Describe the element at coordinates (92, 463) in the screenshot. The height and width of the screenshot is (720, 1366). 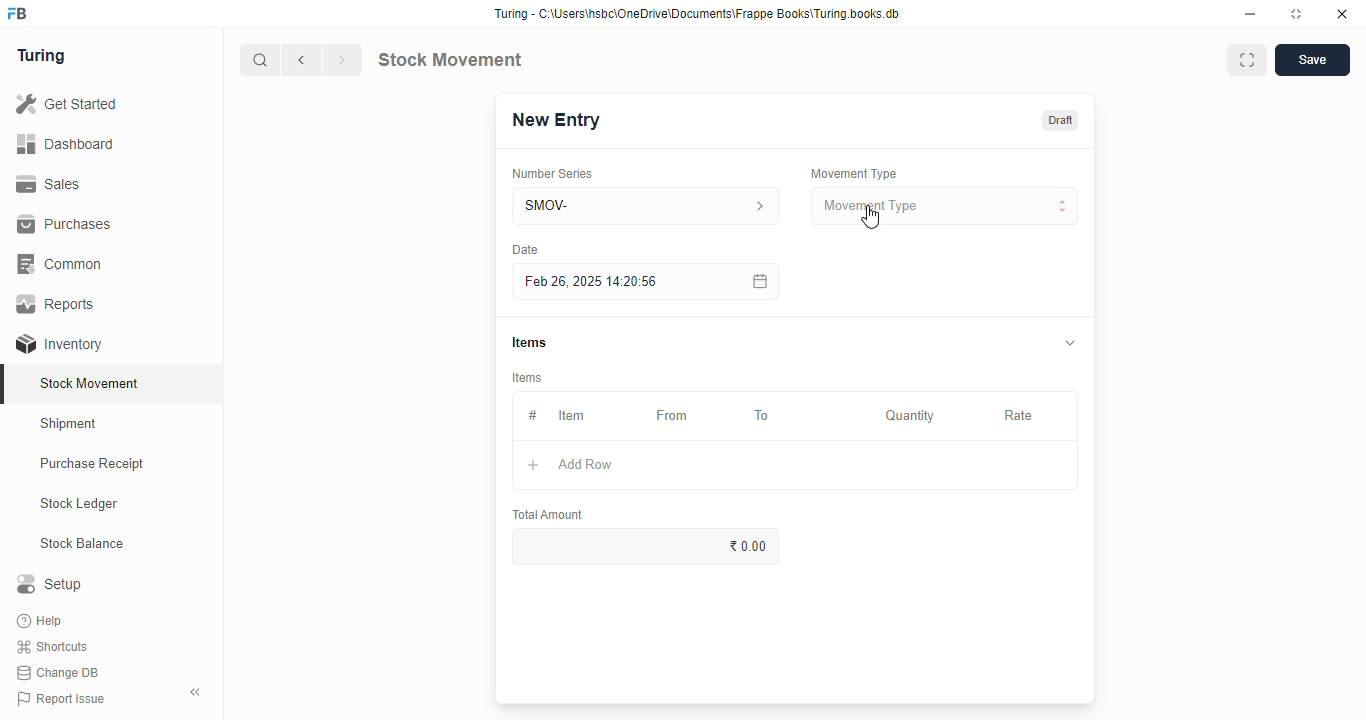
I see `purchase receipt` at that location.